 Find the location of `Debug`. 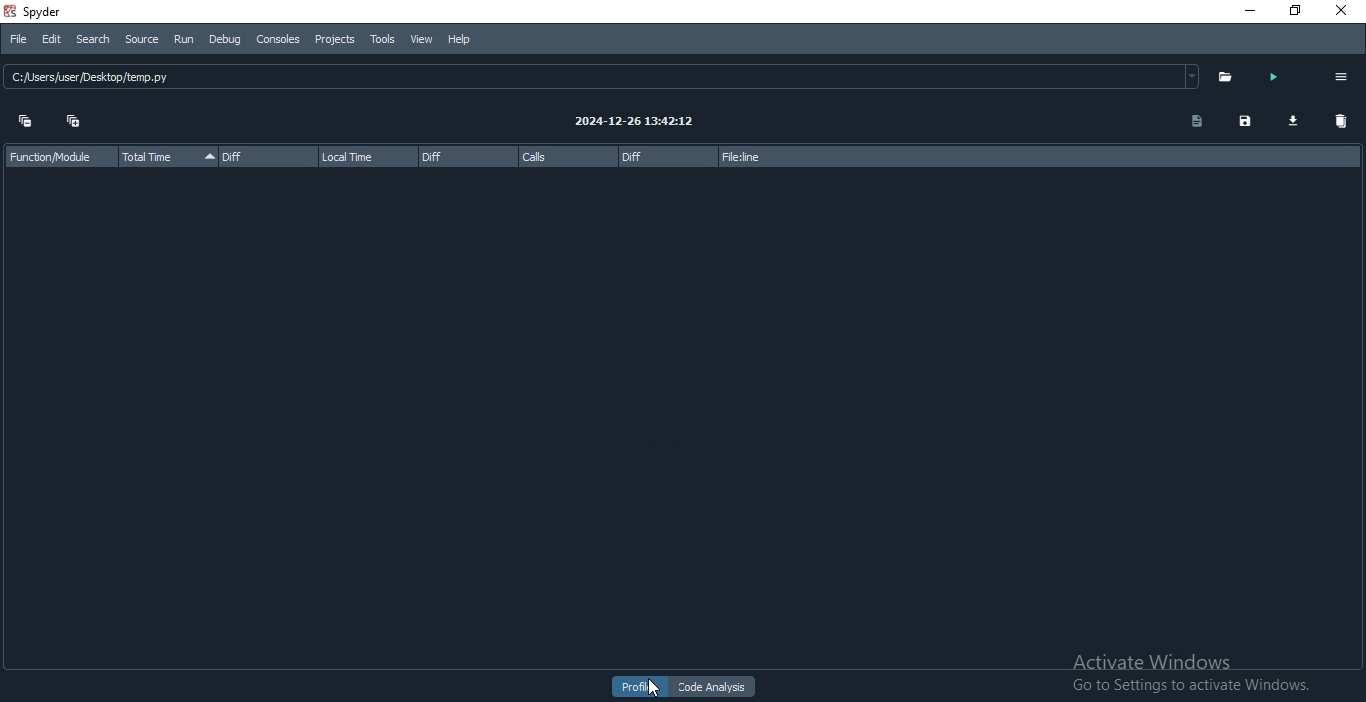

Debug is located at coordinates (226, 41).